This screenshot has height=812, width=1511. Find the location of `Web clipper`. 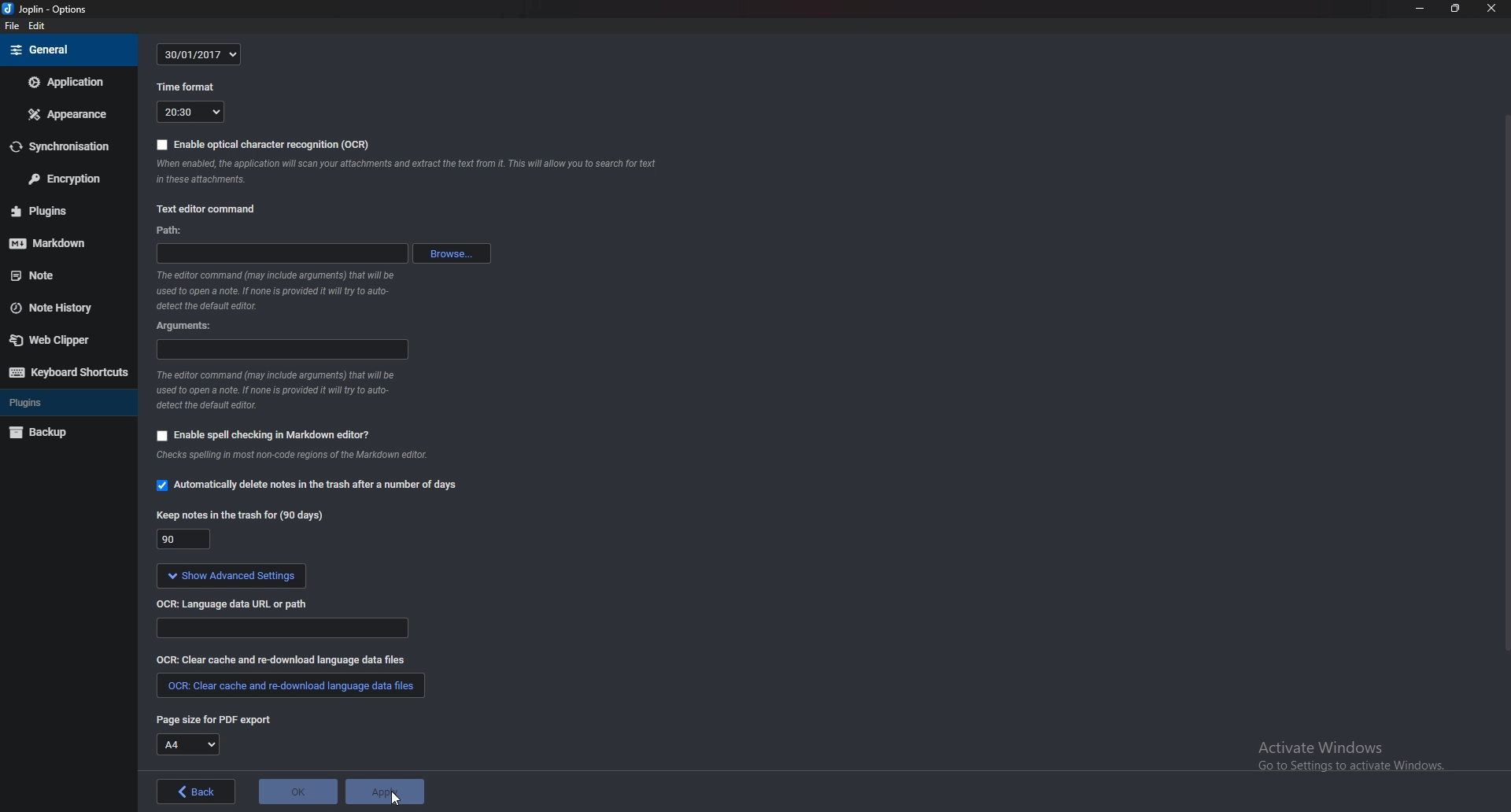

Web clipper is located at coordinates (65, 338).